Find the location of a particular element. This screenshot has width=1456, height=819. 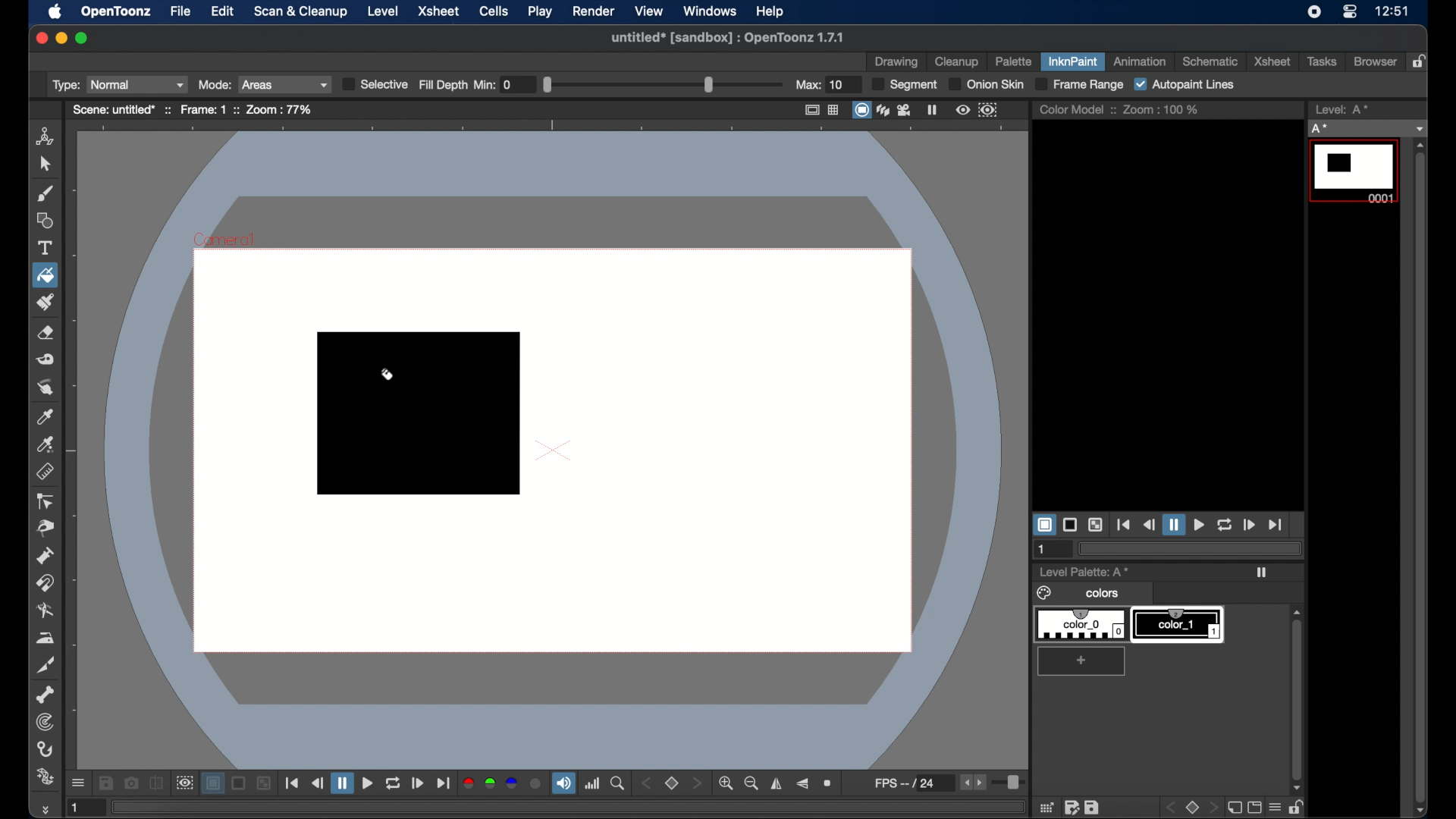

autopaint lines is located at coordinates (1184, 85).